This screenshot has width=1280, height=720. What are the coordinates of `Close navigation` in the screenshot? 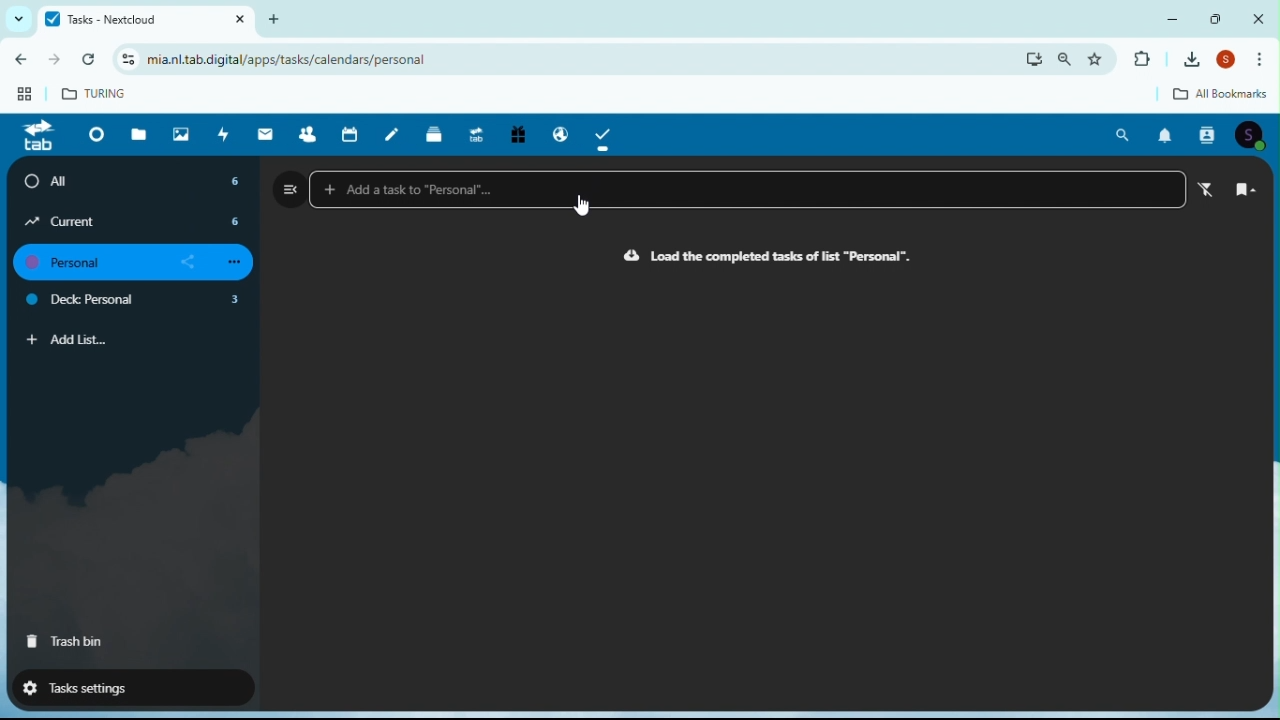 It's located at (290, 188).